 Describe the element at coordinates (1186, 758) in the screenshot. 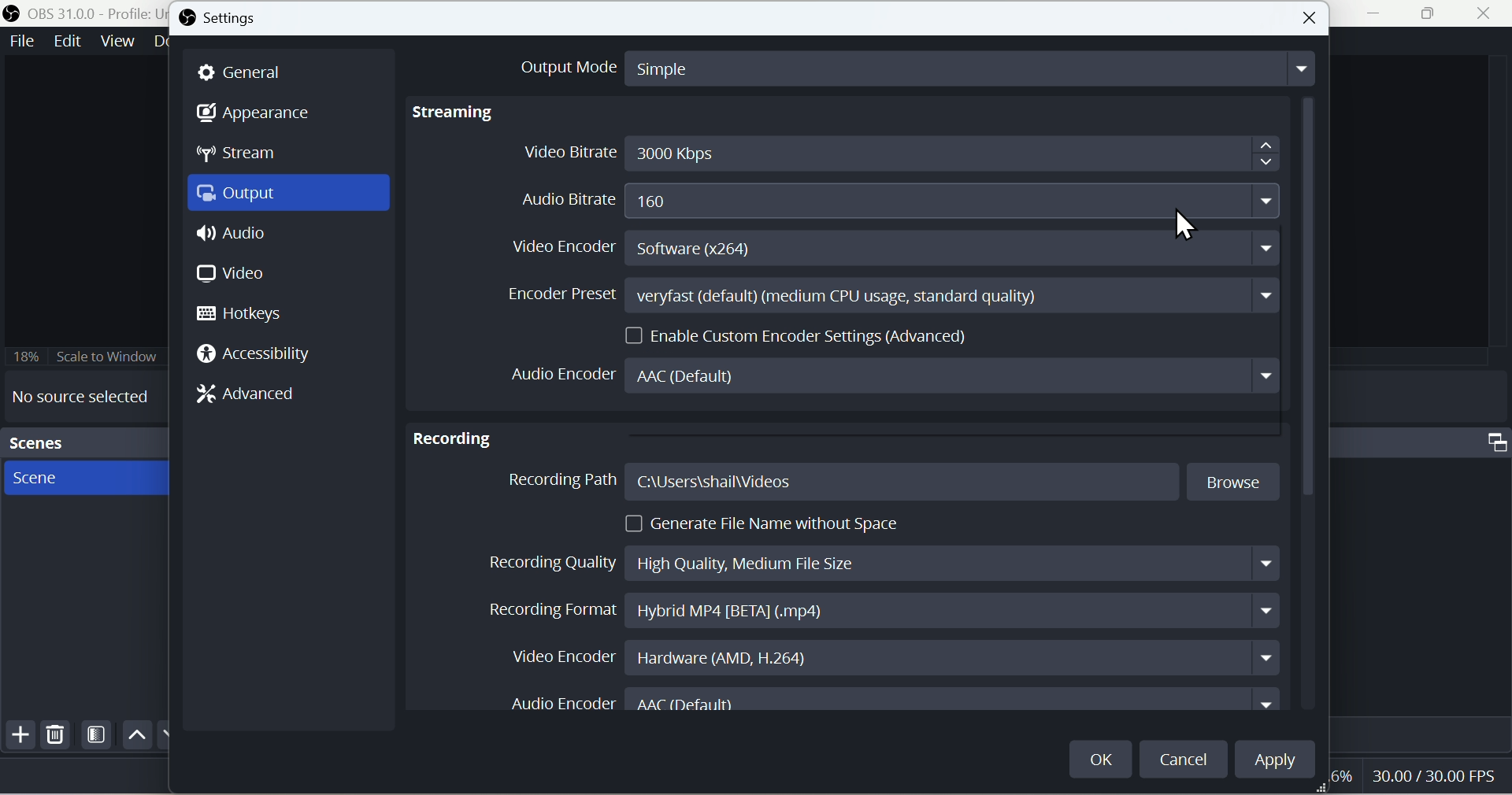

I see `cancel` at that location.